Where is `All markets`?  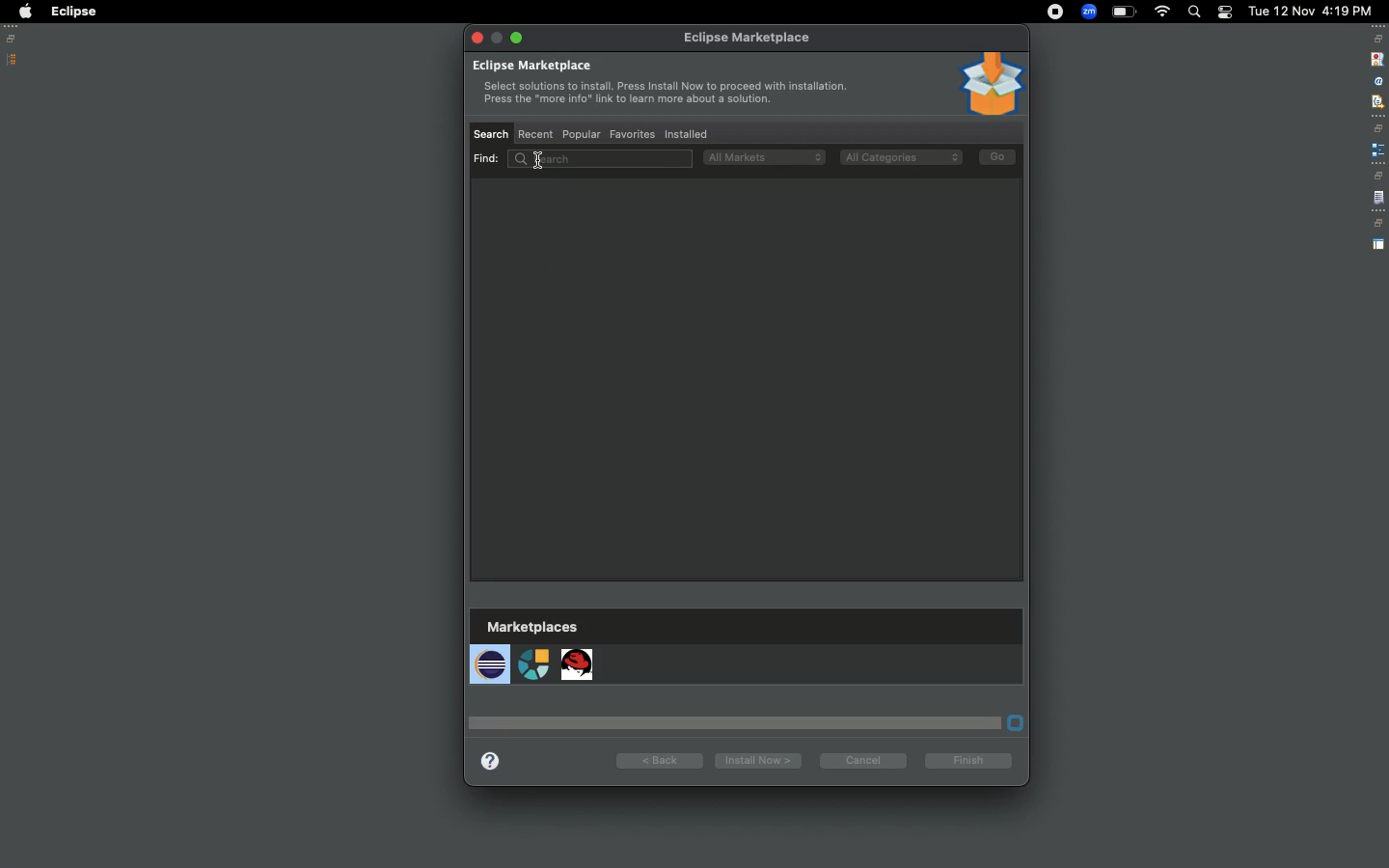 All markets is located at coordinates (764, 156).